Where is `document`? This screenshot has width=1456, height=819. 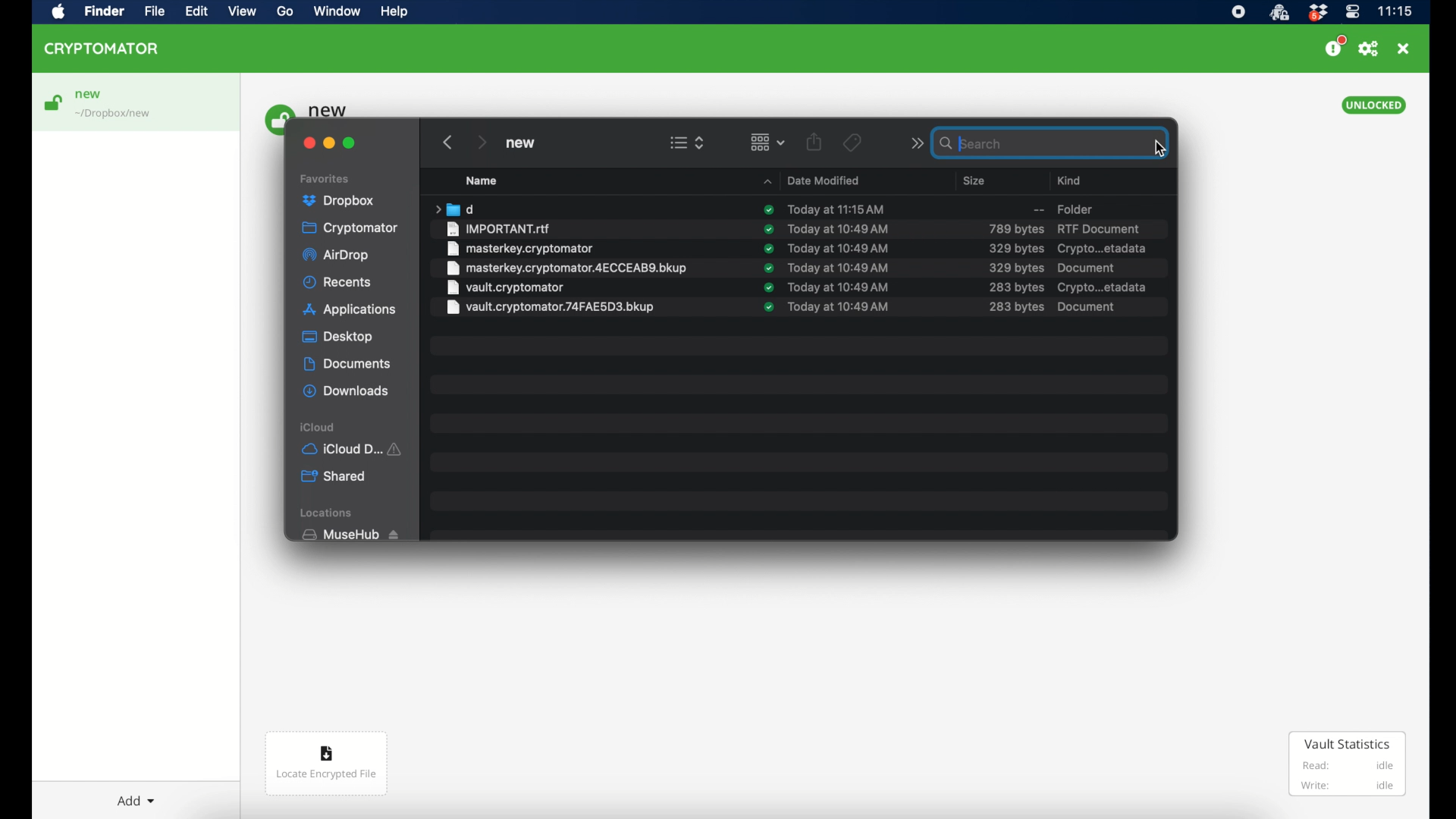
document is located at coordinates (1085, 307).